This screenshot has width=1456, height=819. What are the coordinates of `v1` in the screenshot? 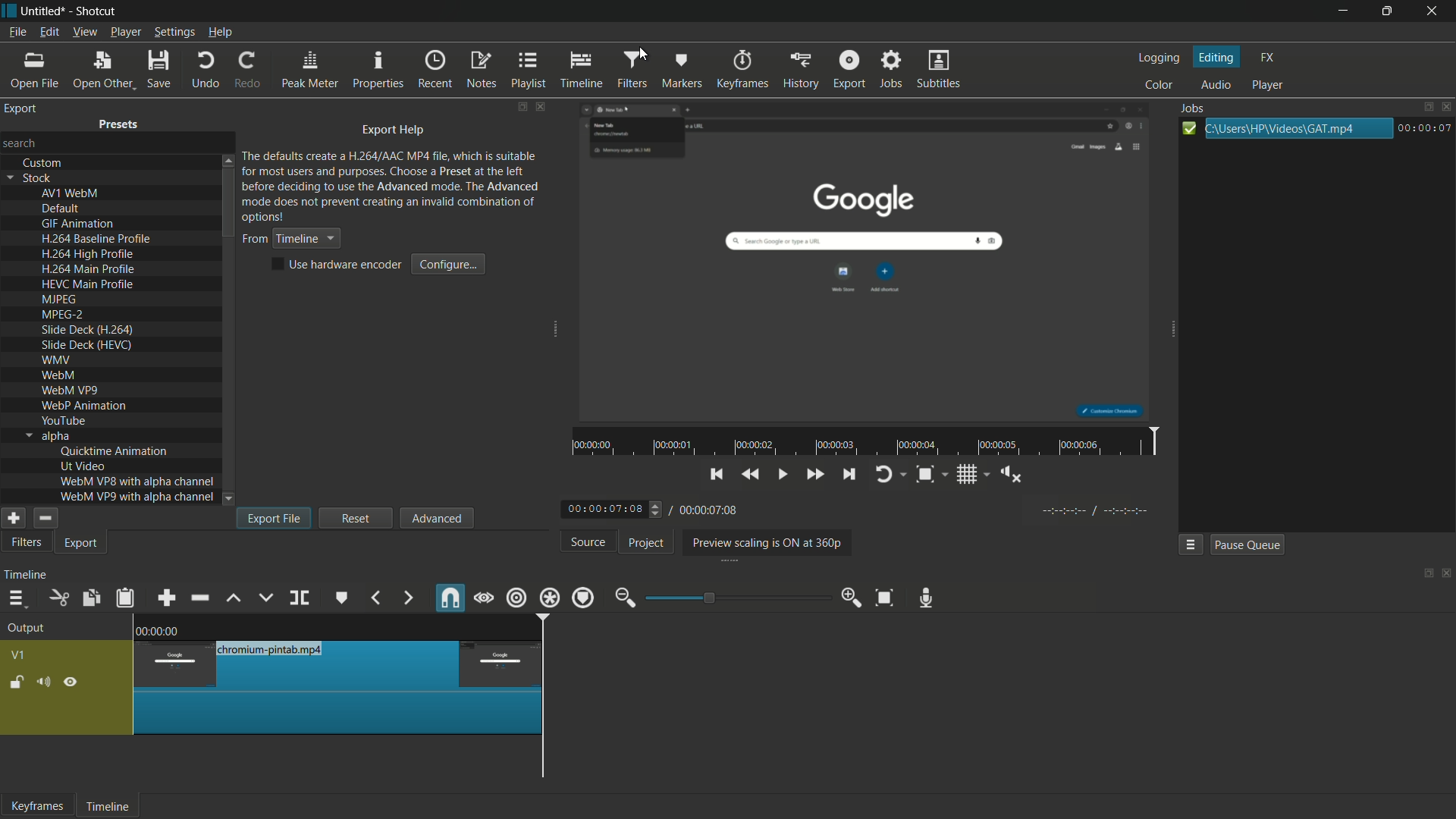 It's located at (20, 657).